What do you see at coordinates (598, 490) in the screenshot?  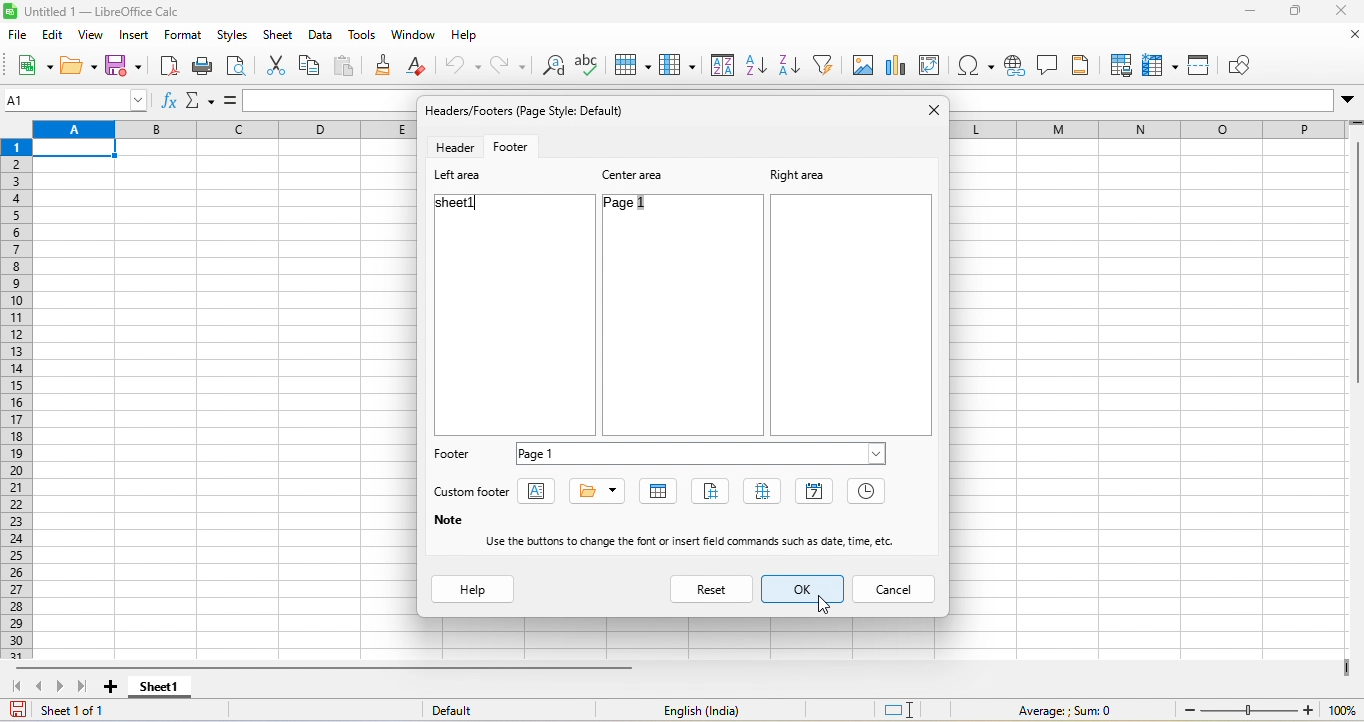 I see `title` at bounding box center [598, 490].